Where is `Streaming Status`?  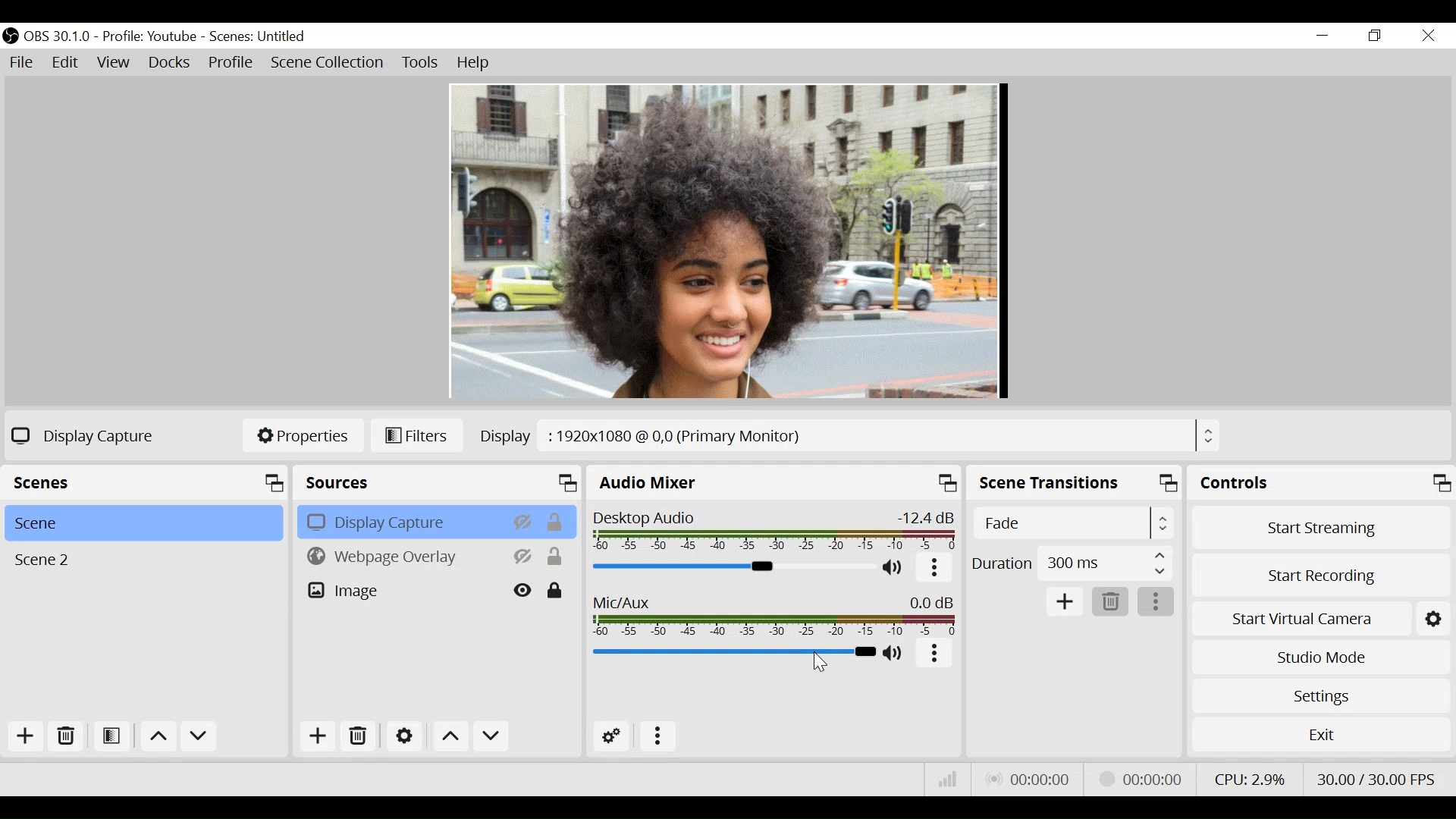 Streaming Status is located at coordinates (1141, 779).